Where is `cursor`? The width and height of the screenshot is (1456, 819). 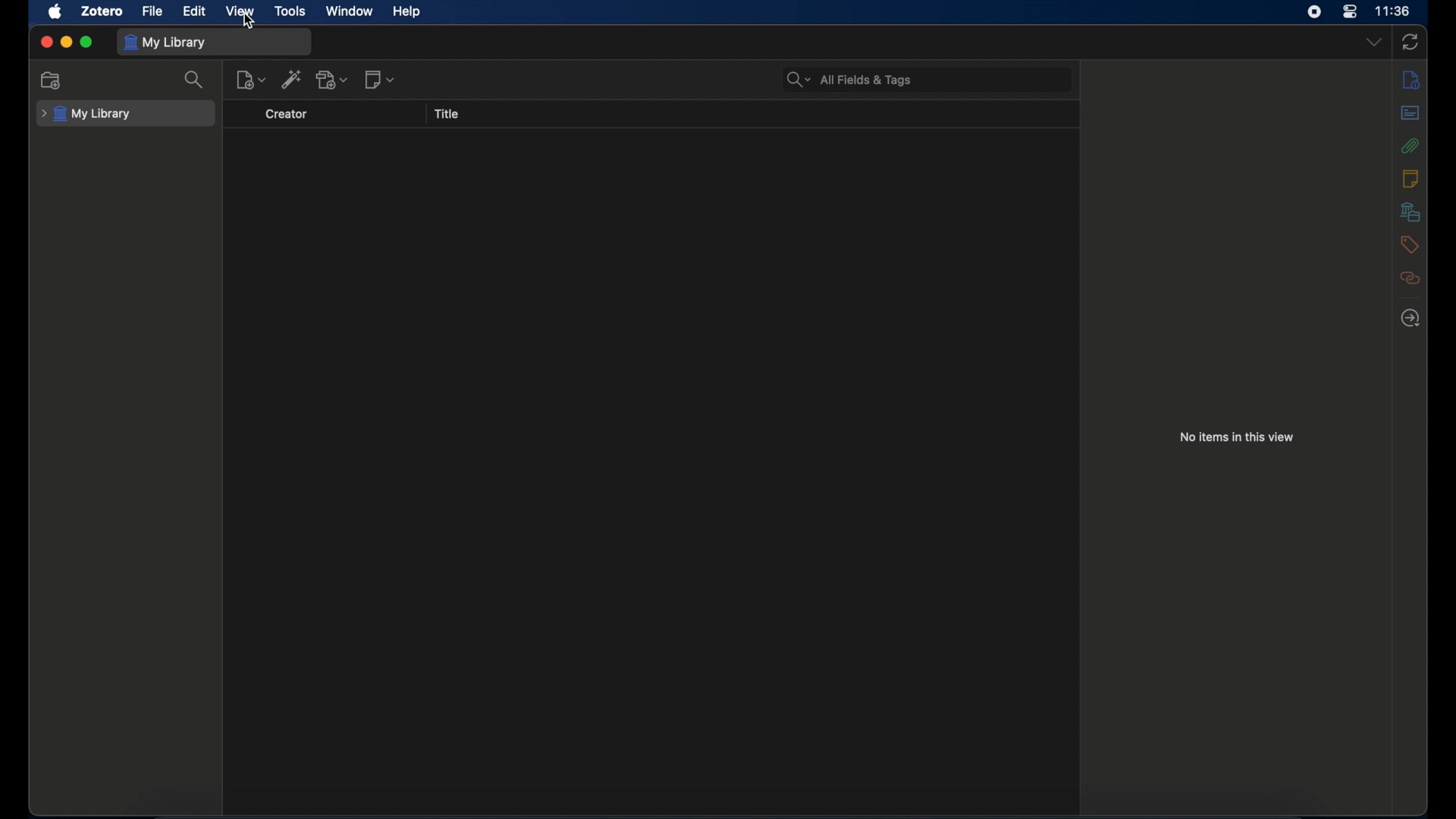
cursor is located at coordinates (249, 22).